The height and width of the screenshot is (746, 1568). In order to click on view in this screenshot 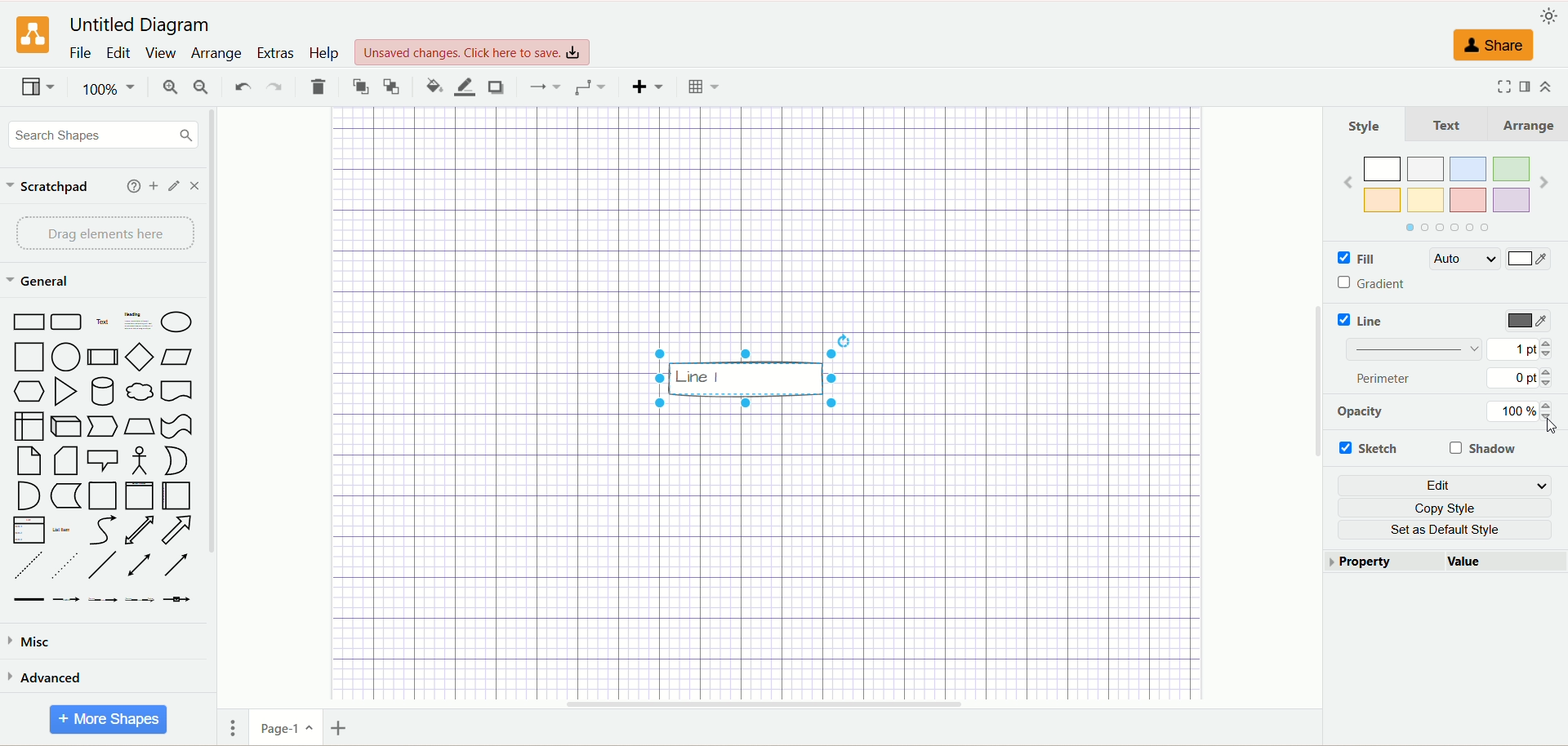, I will do `click(161, 53)`.